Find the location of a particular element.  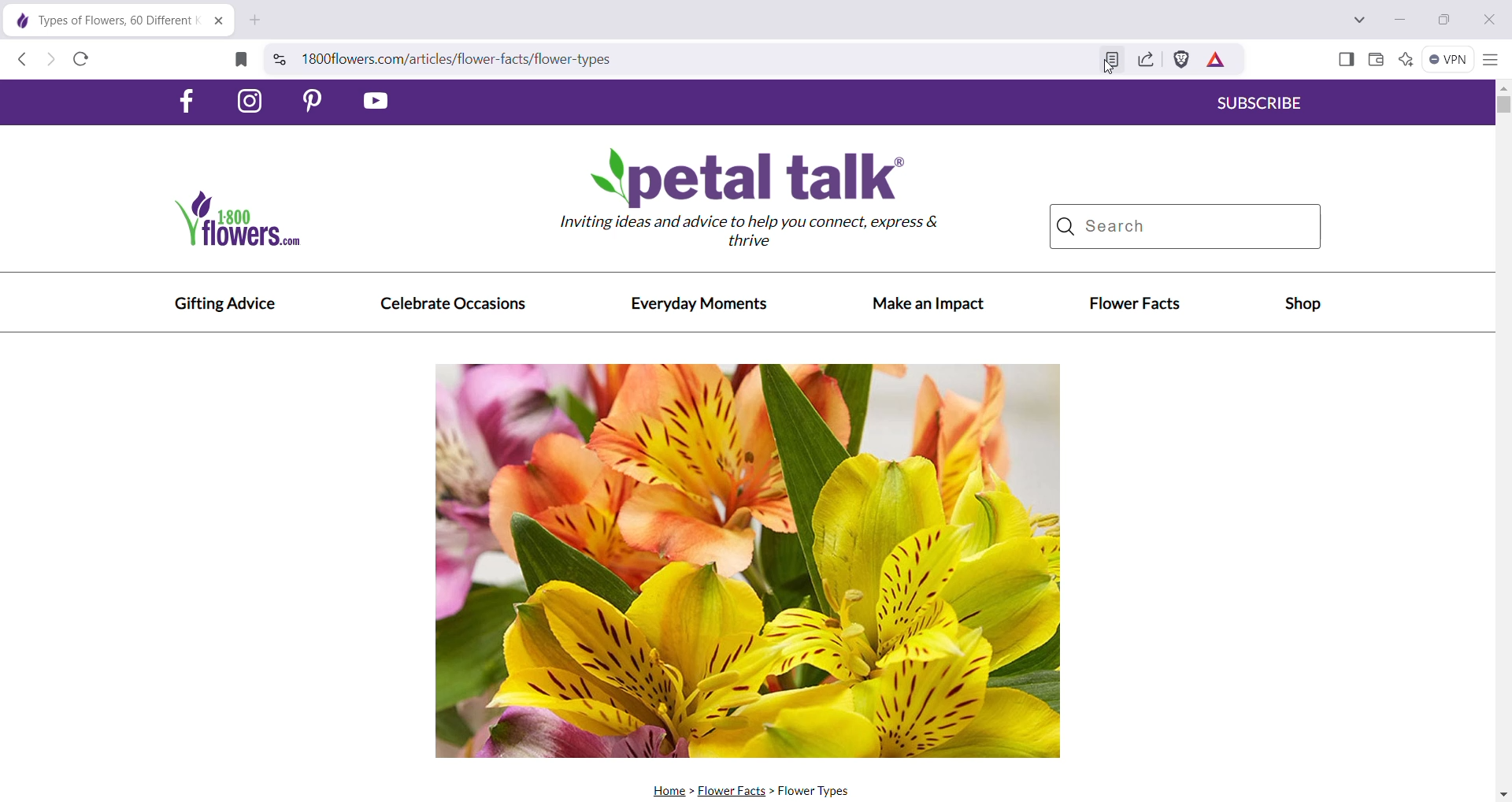

Show Sidebar is located at coordinates (1347, 60).